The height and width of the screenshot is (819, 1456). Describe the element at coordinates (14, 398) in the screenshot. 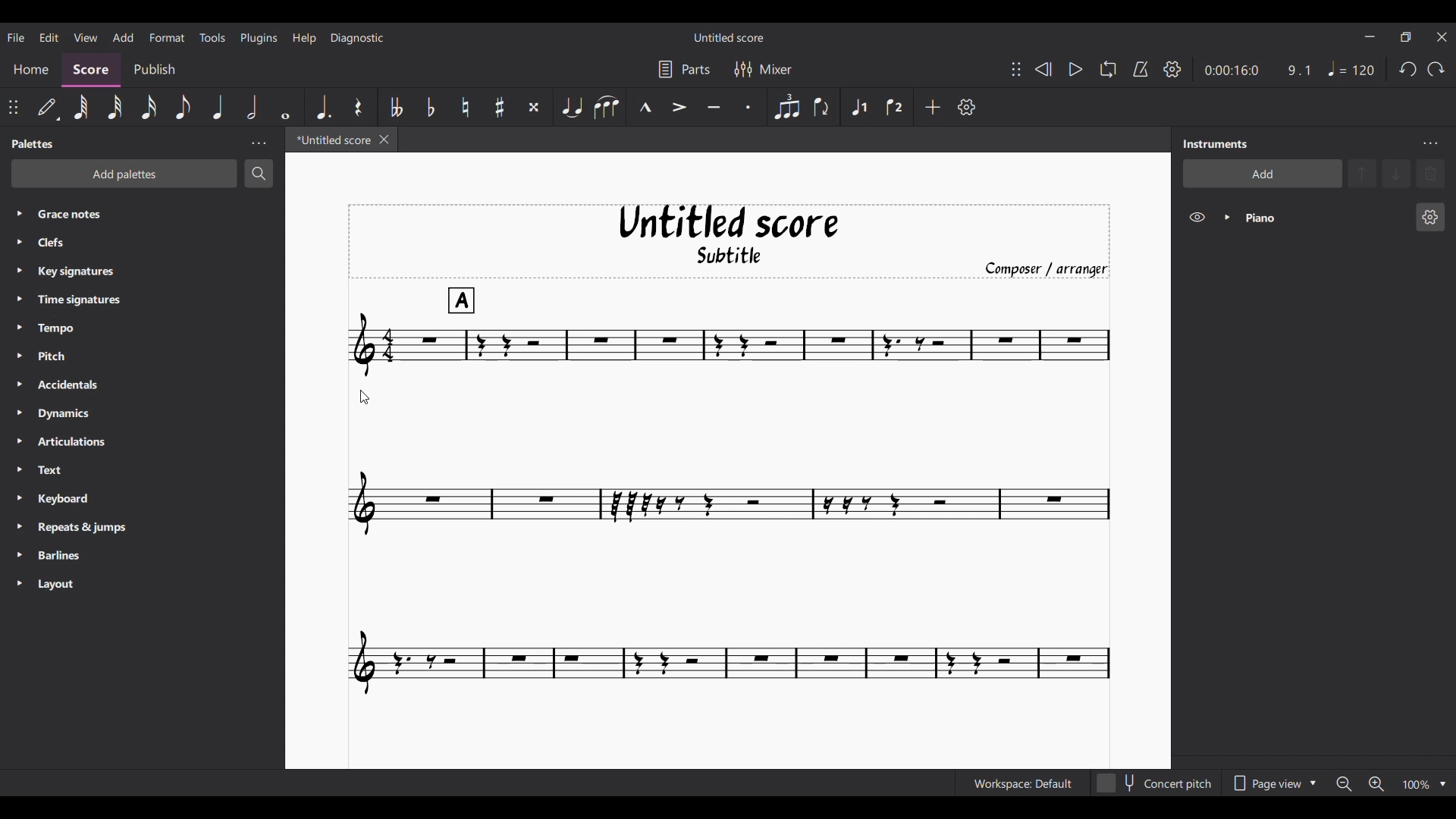

I see `Expand respective palette` at that location.